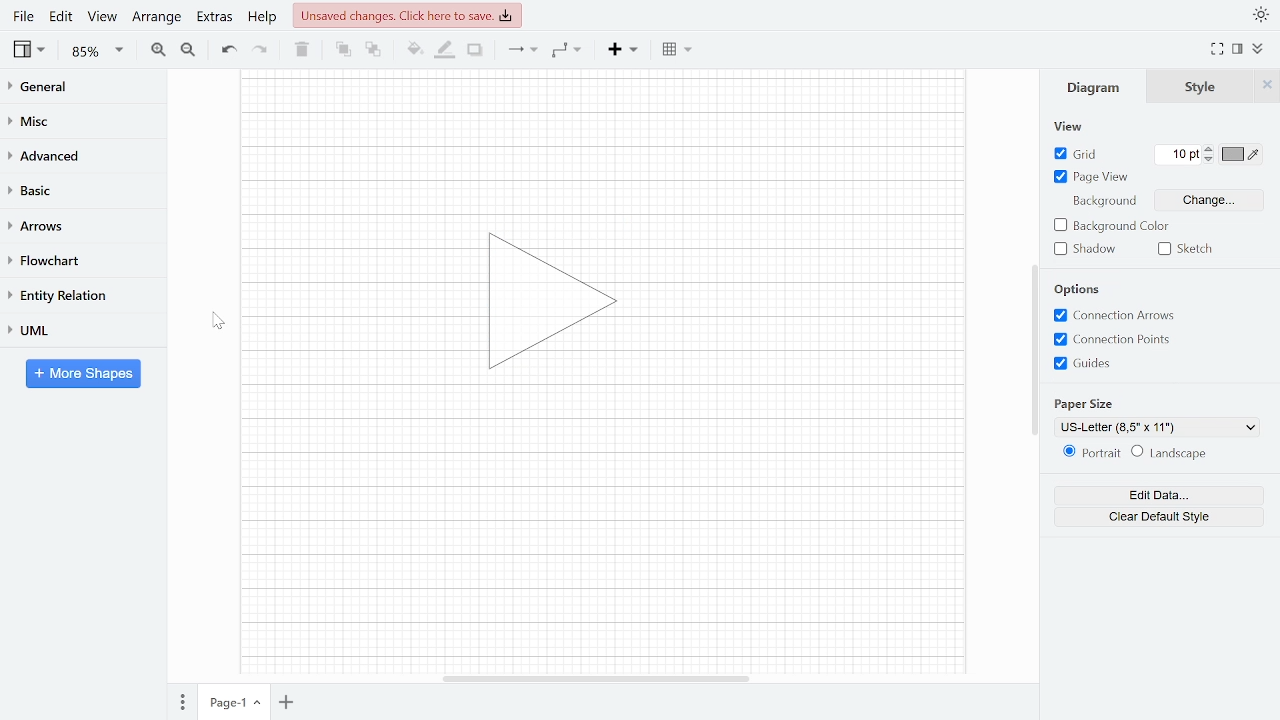 The height and width of the screenshot is (720, 1280). What do you see at coordinates (1182, 250) in the screenshot?
I see `Sketch` at bounding box center [1182, 250].